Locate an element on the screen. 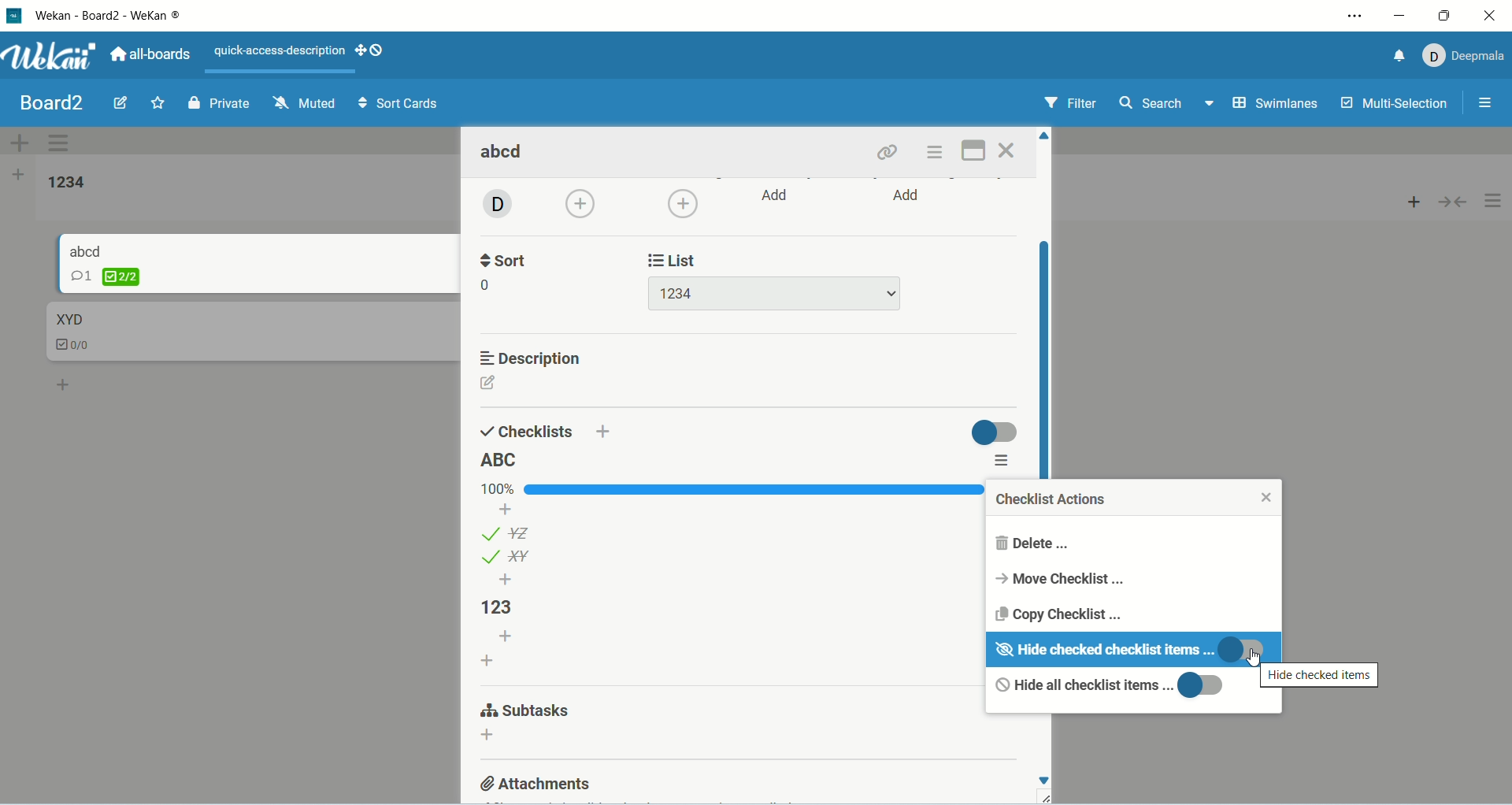 The height and width of the screenshot is (805, 1512). swimlane actions is located at coordinates (61, 145).